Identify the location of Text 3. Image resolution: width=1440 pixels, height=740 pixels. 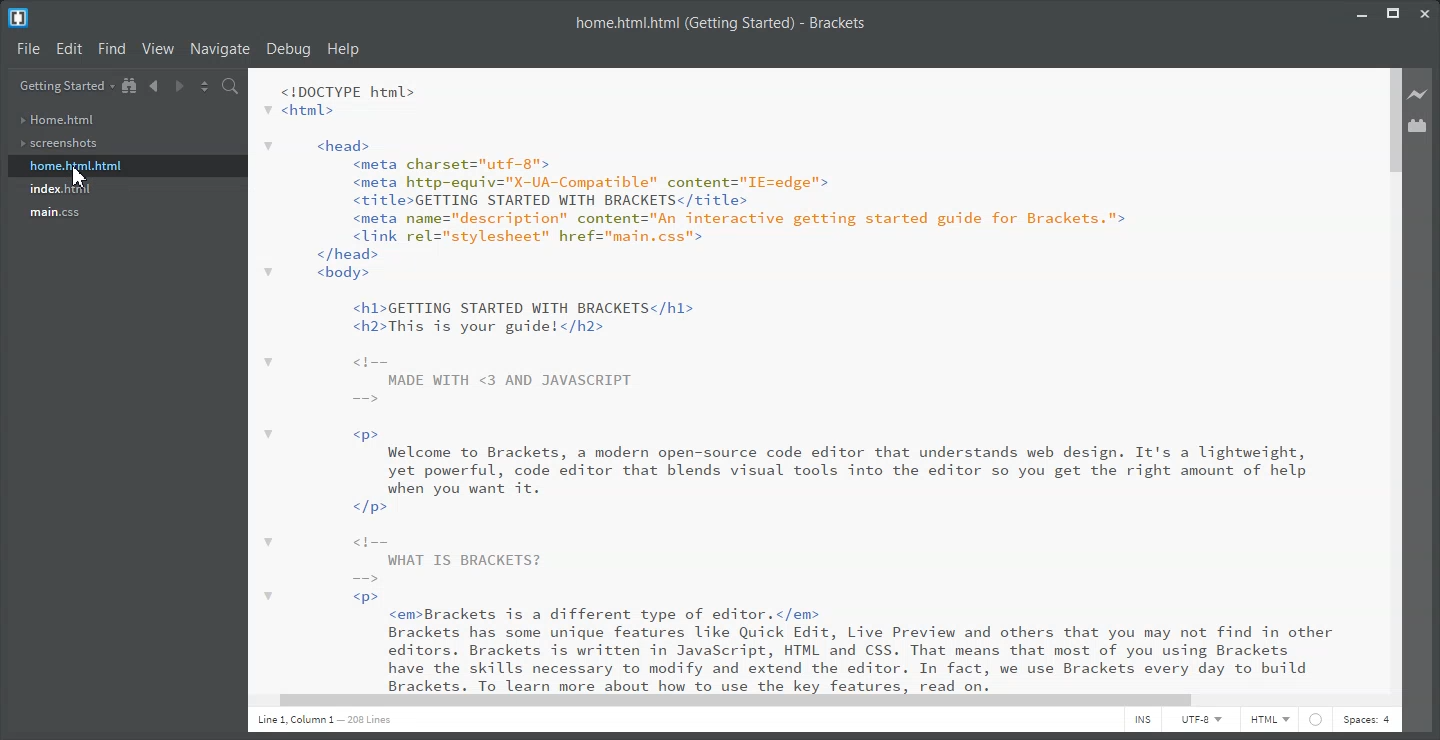
(329, 723).